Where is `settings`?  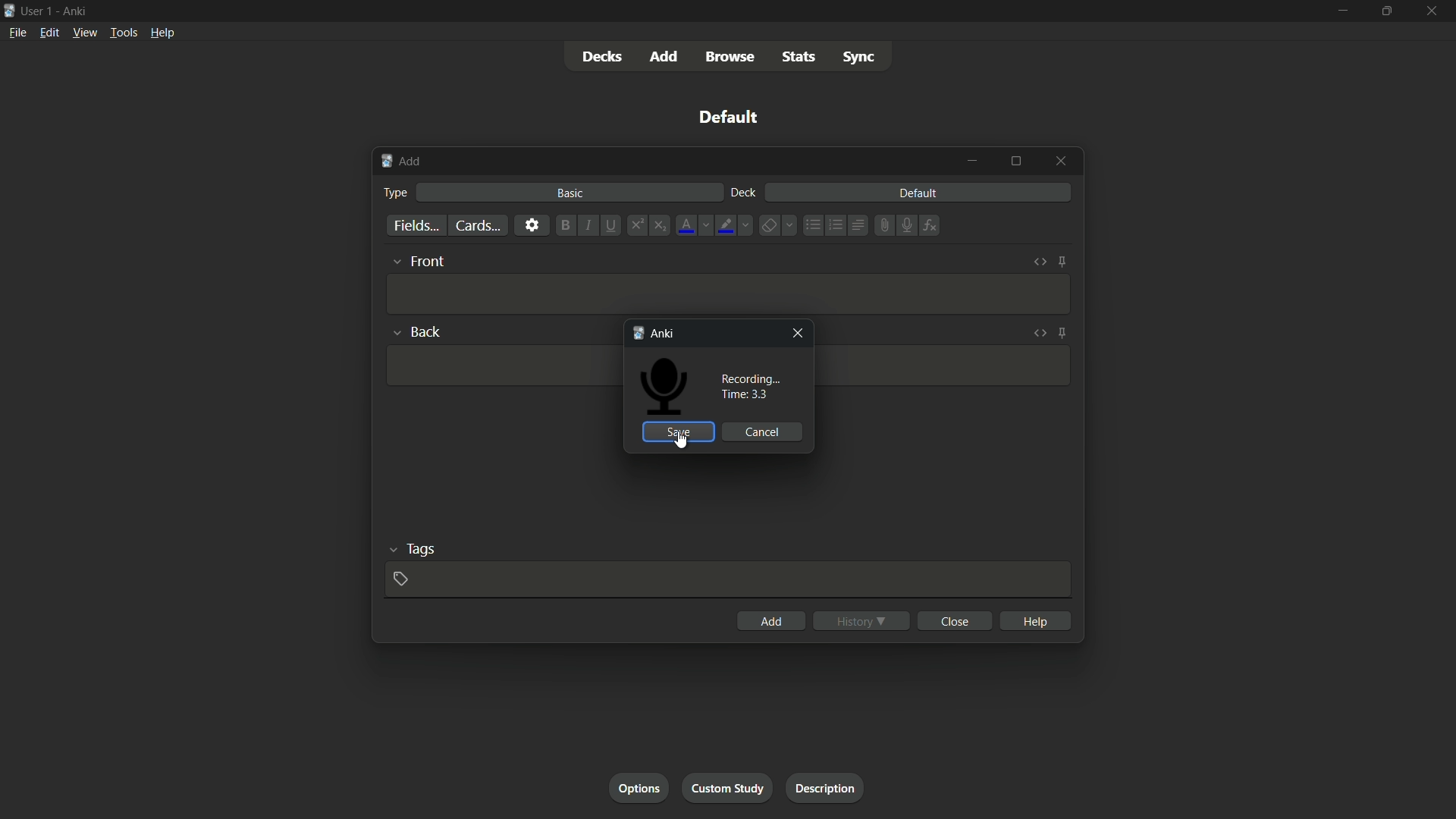
settings is located at coordinates (531, 225).